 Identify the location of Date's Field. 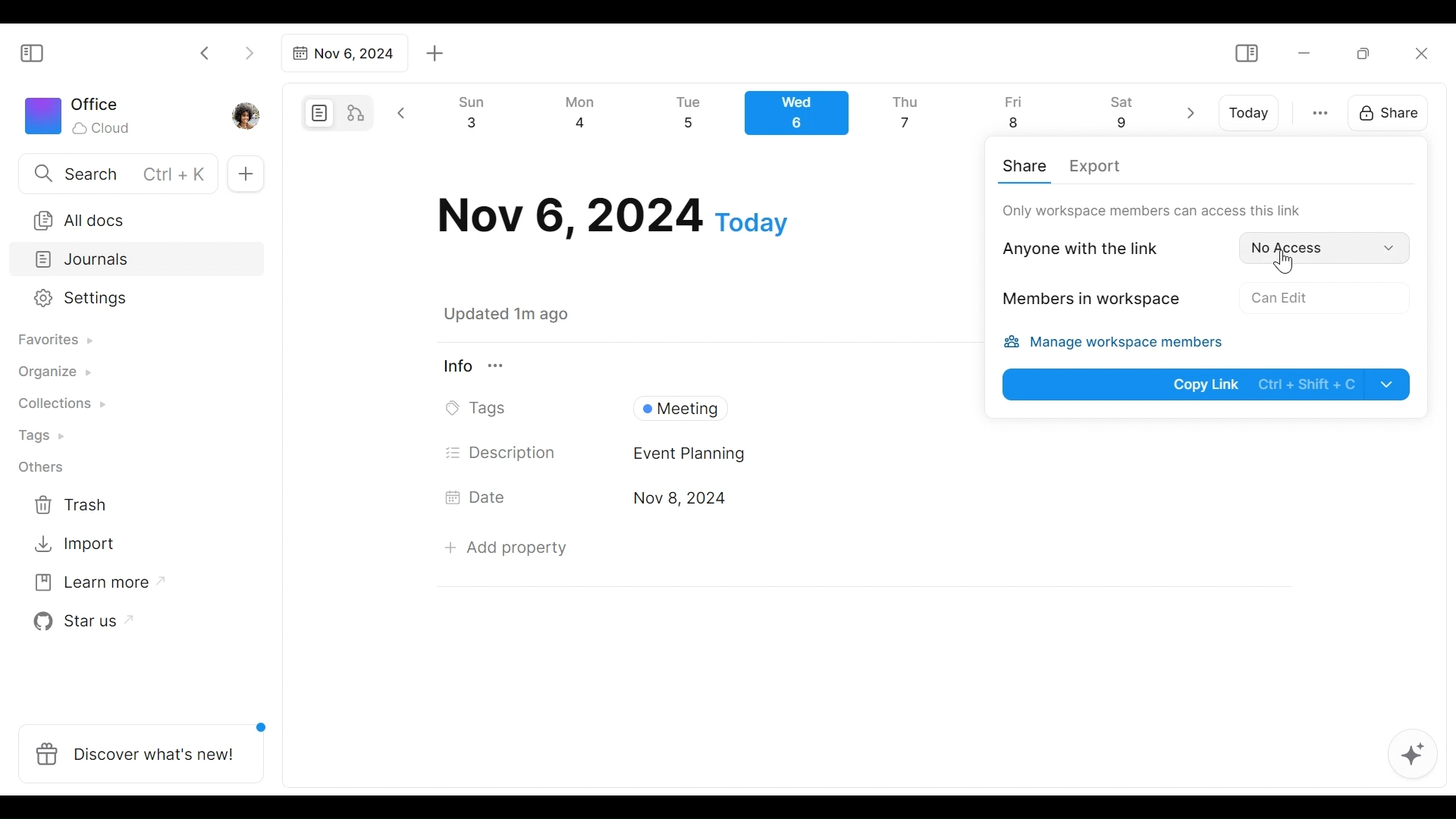
(954, 500).